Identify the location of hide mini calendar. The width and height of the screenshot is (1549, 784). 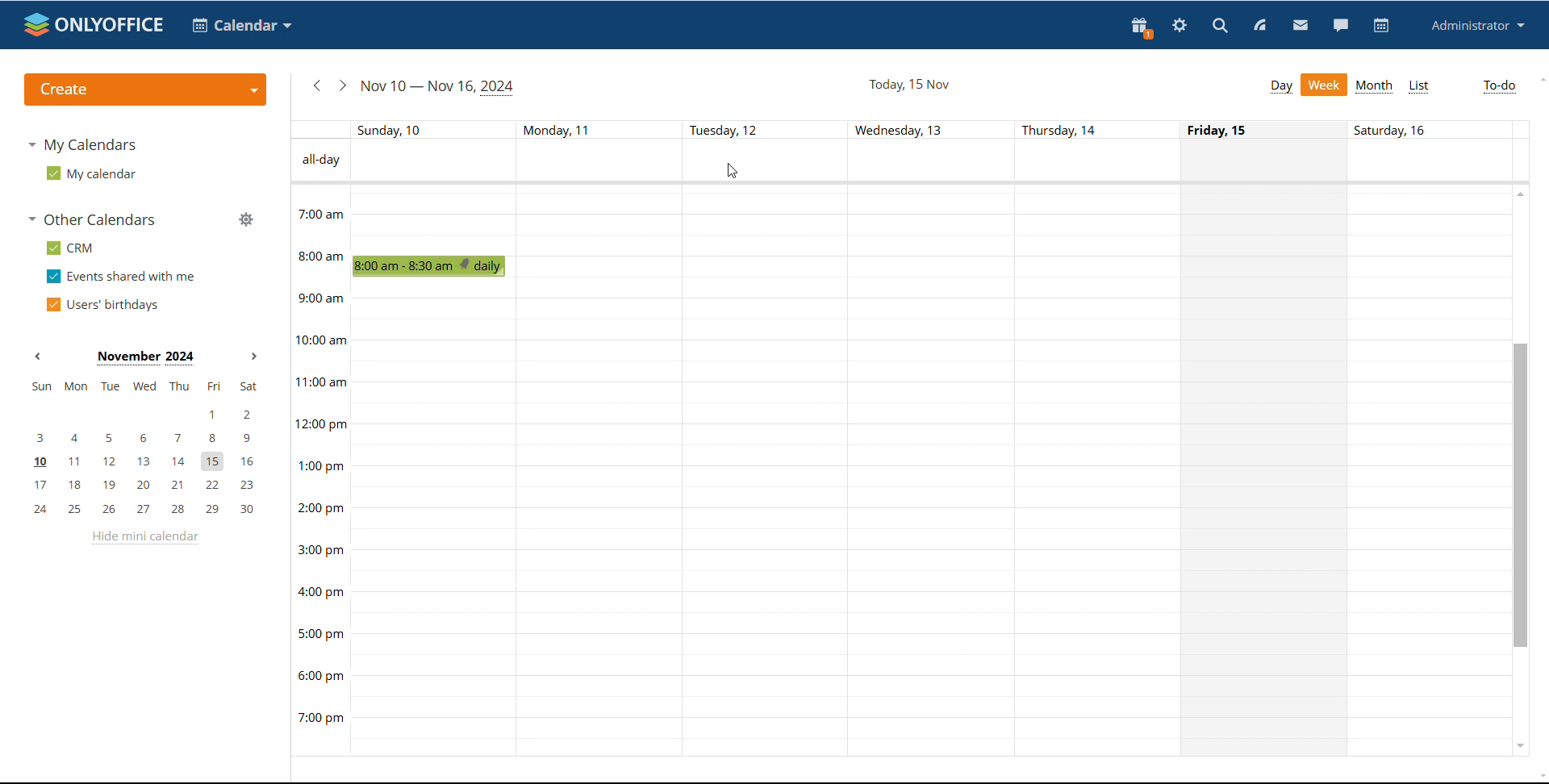
(145, 538).